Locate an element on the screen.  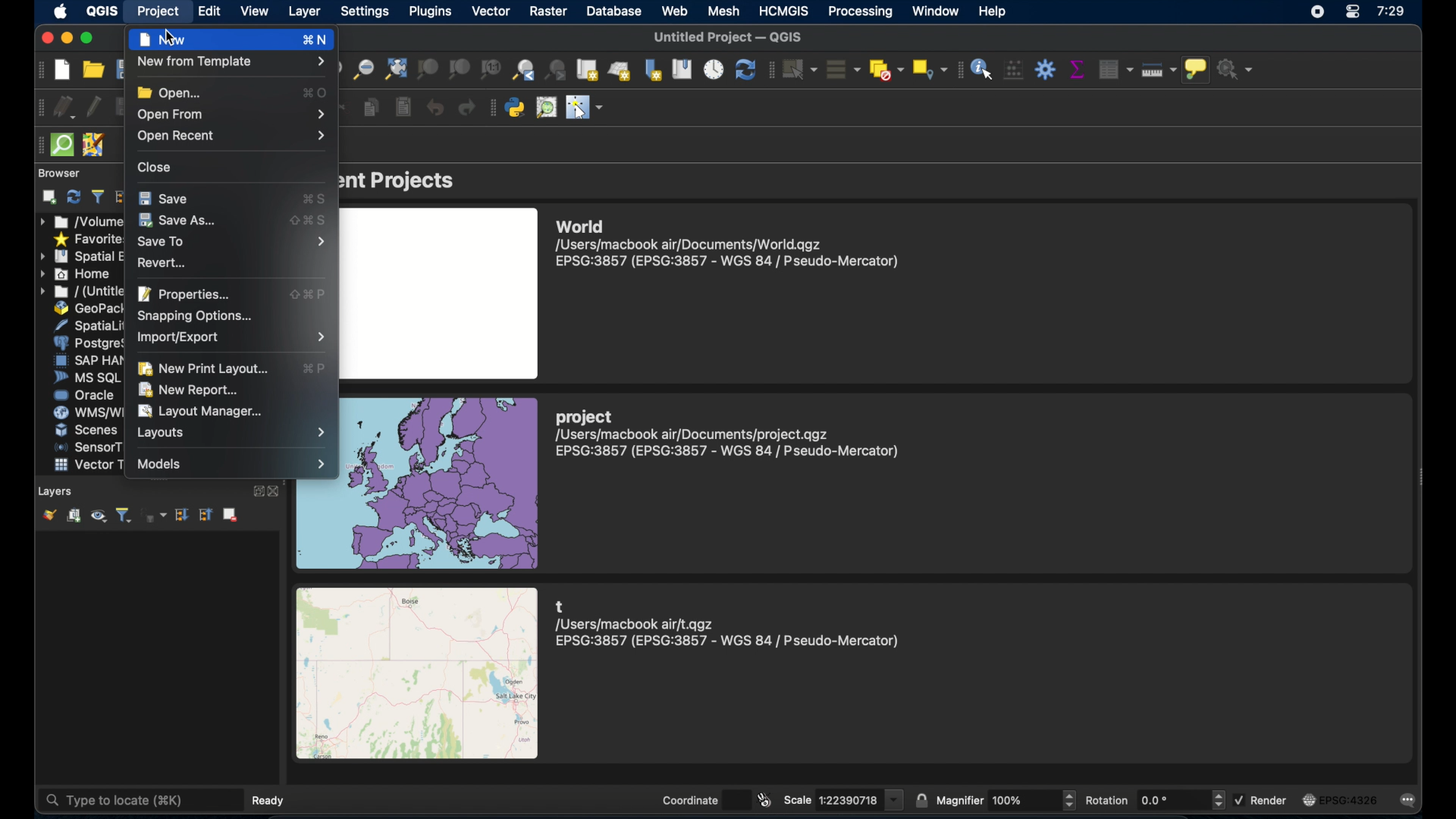
zoom last is located at coordinates (525, 69).